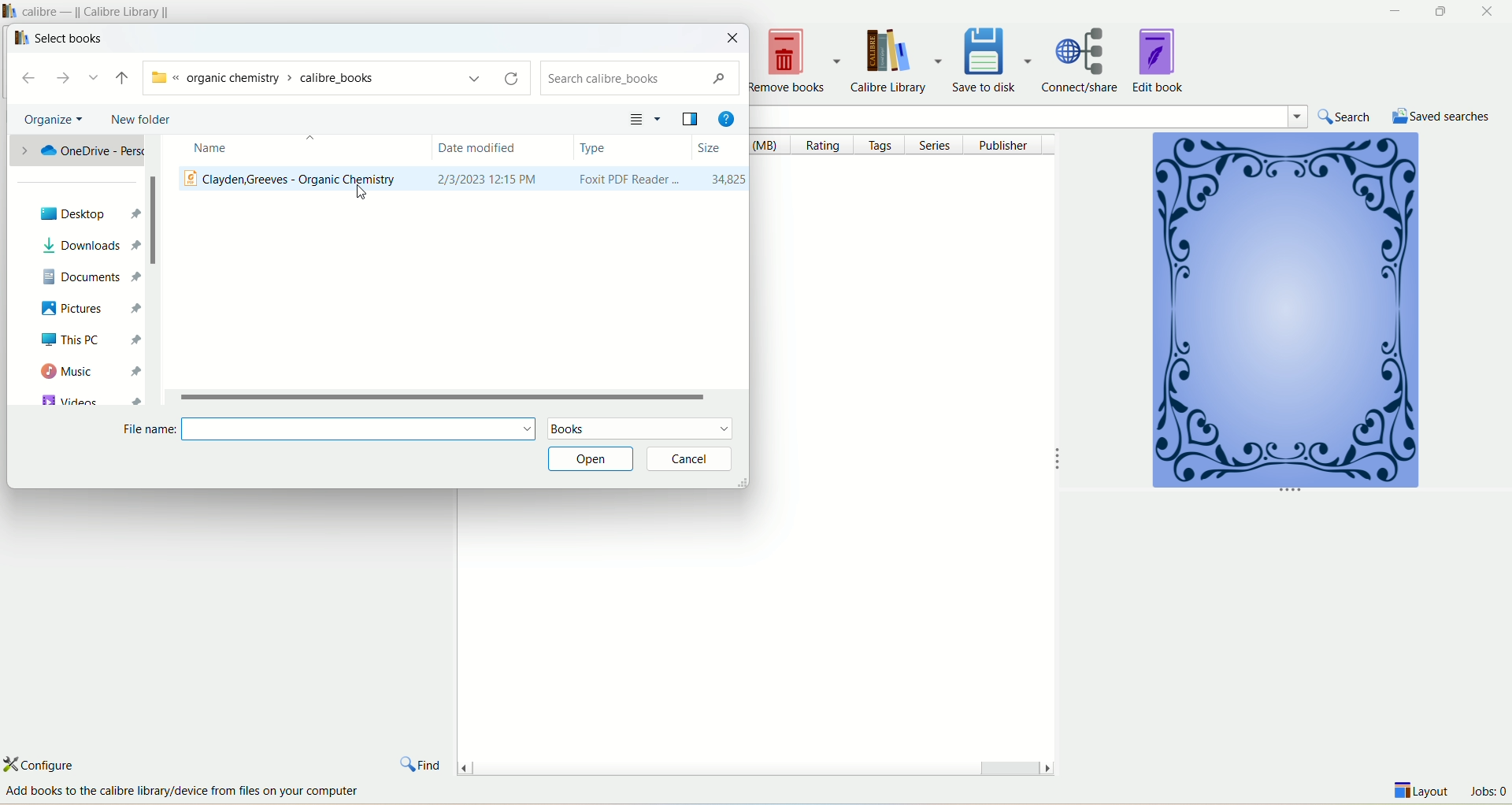 Image resolution: width=1512 pixels, height=805 pixels. I want to click on new folder, so click(140, 121).